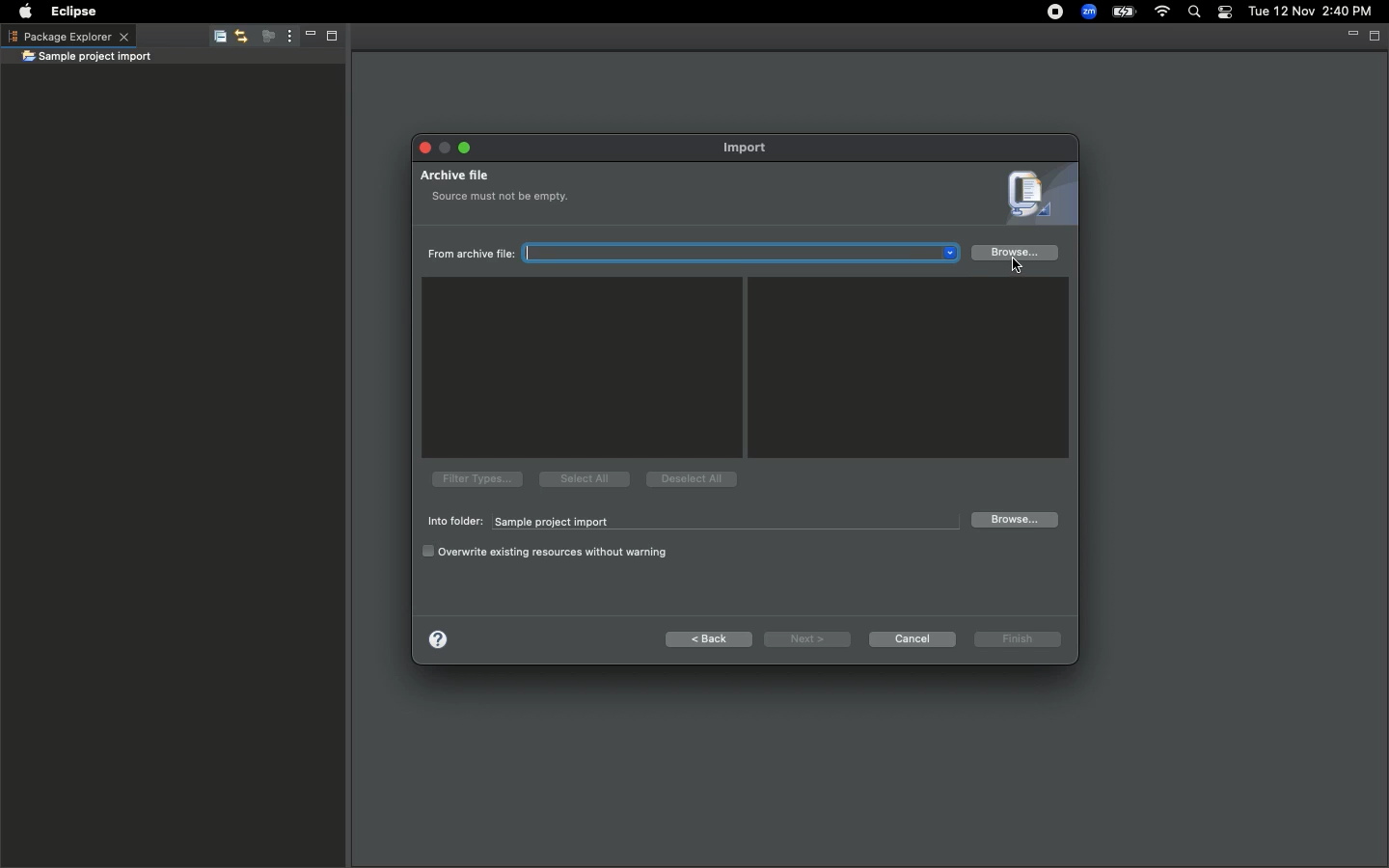  Describe the element at coordinates (87, 58) in the screenshot. I see `Folder` at that location.